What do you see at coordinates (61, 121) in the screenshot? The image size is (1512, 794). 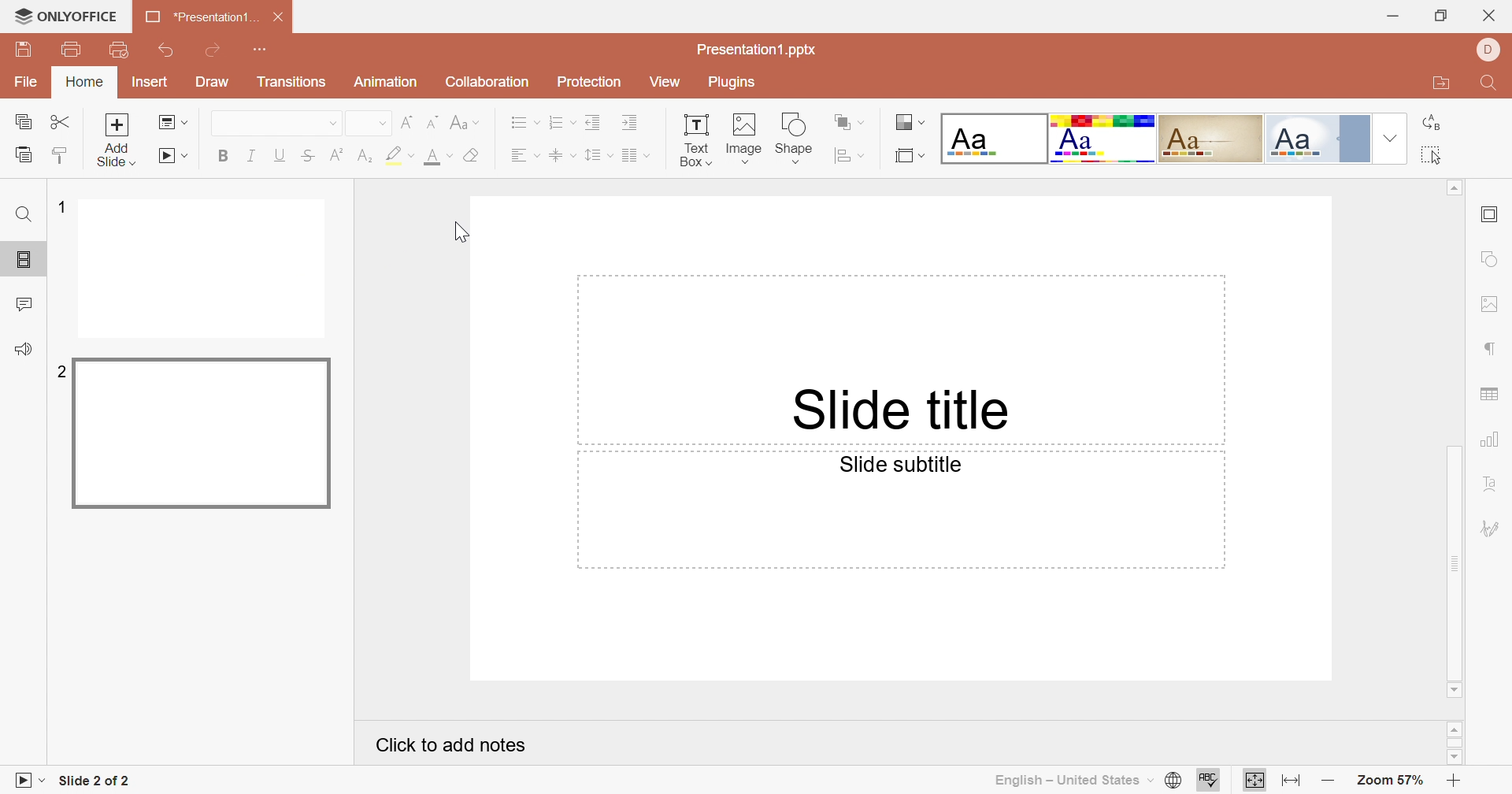 I see `Cut` at bounding box center [61, 121].